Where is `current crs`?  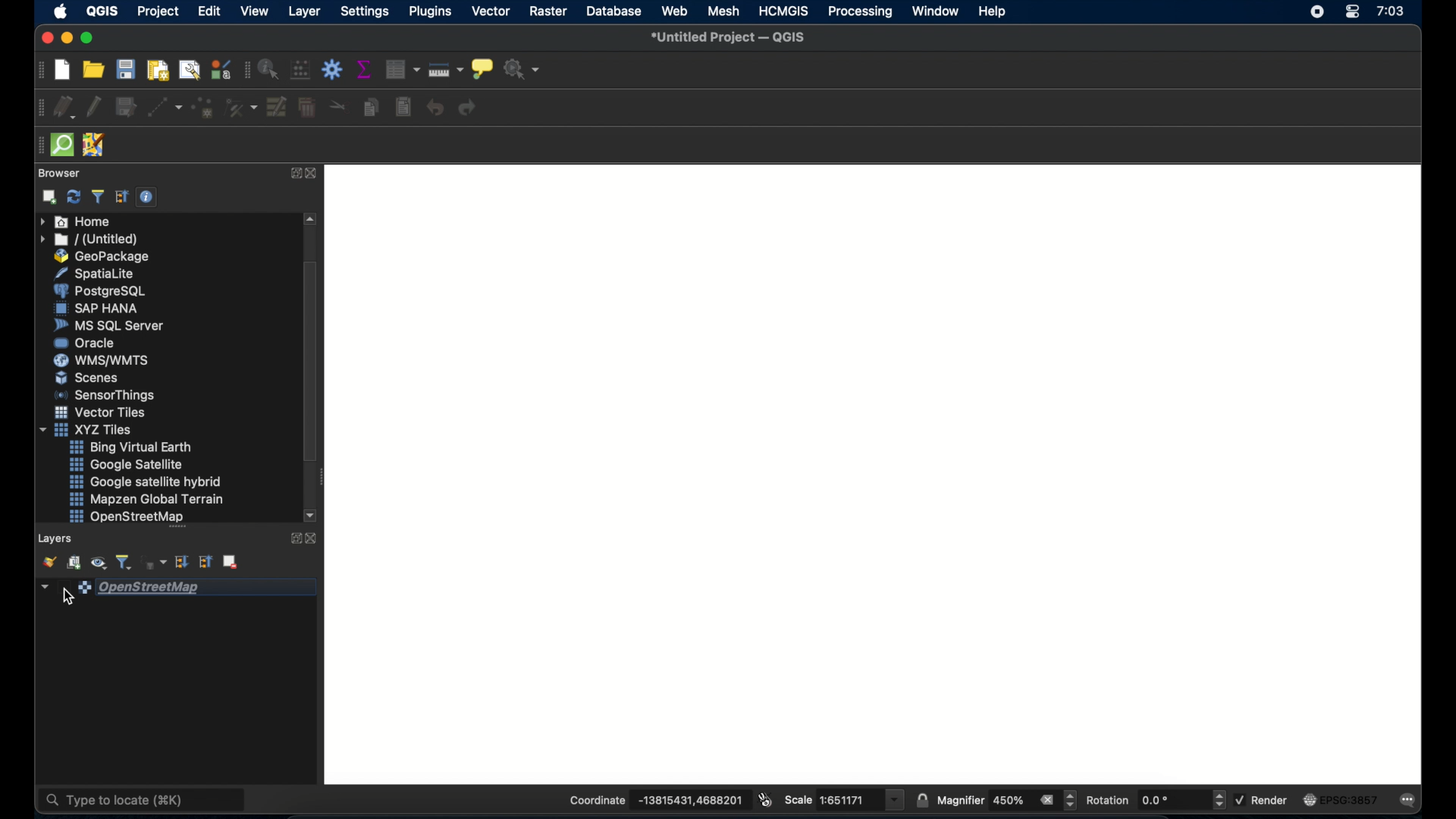
current crs is located at coordinates (1347, 801).